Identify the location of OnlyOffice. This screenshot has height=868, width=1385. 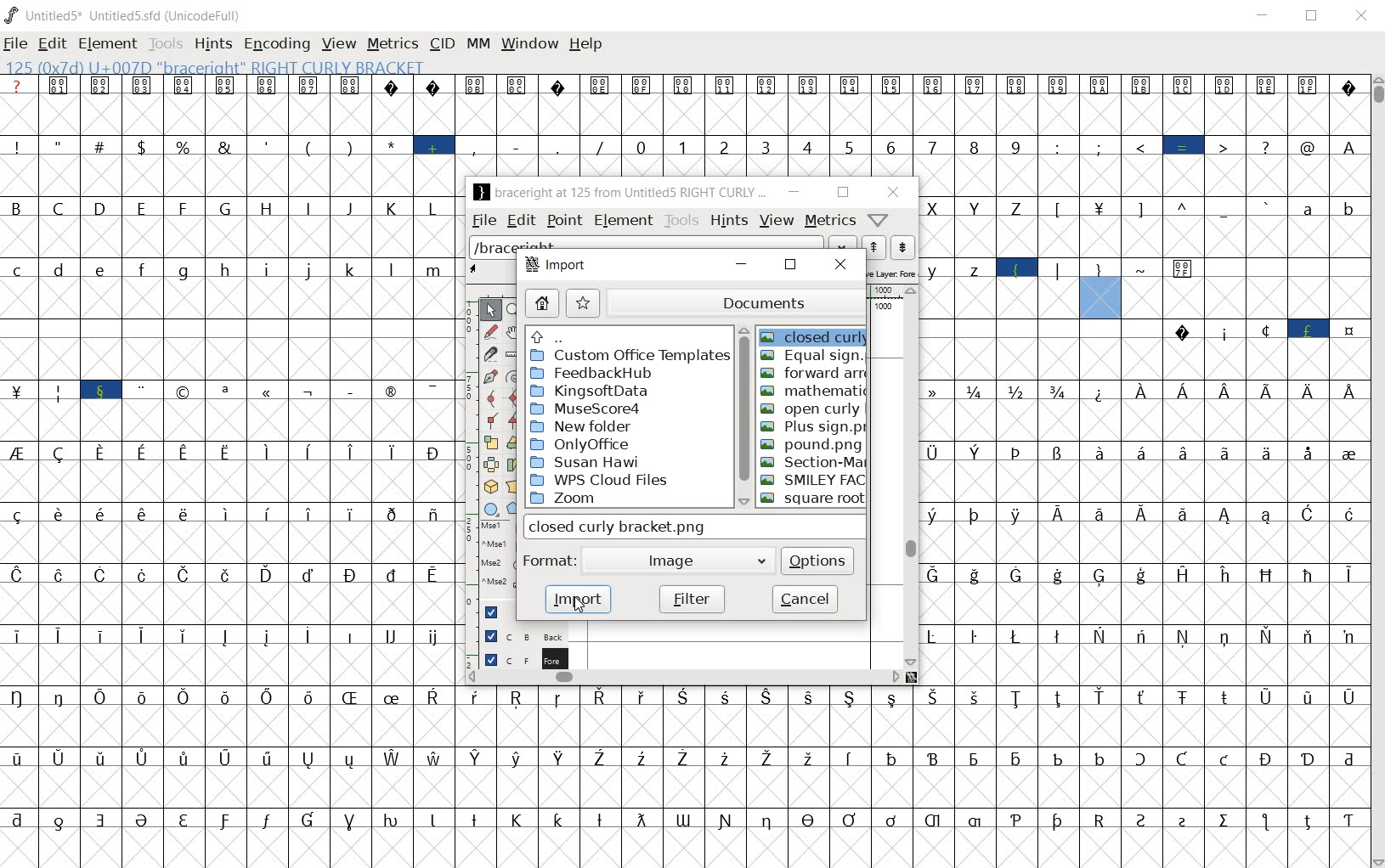
(579, 446).